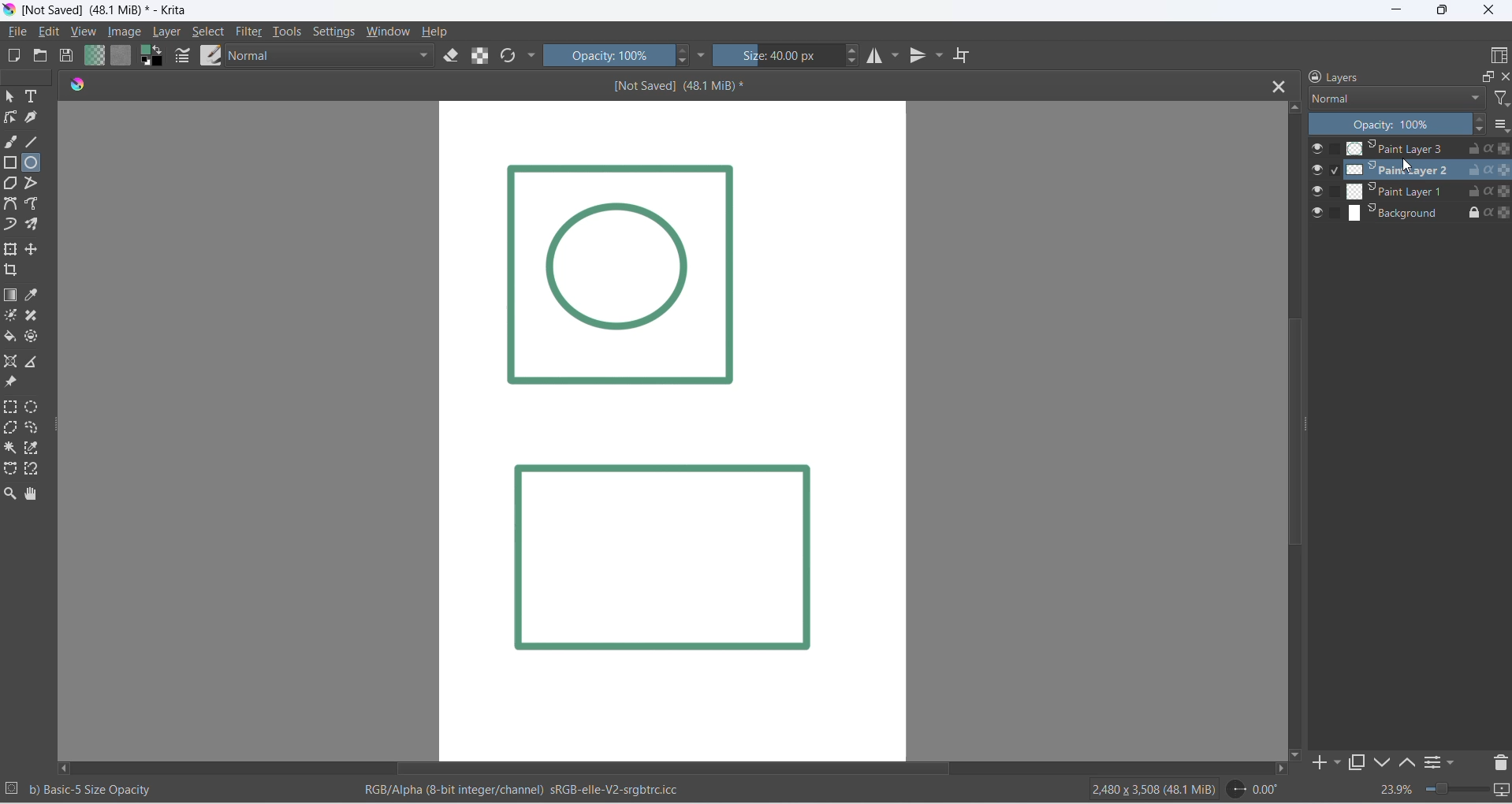  What do you see at coordinates (390, 32) in the screenshot?
I see `window` at bounding box center [390, 32].